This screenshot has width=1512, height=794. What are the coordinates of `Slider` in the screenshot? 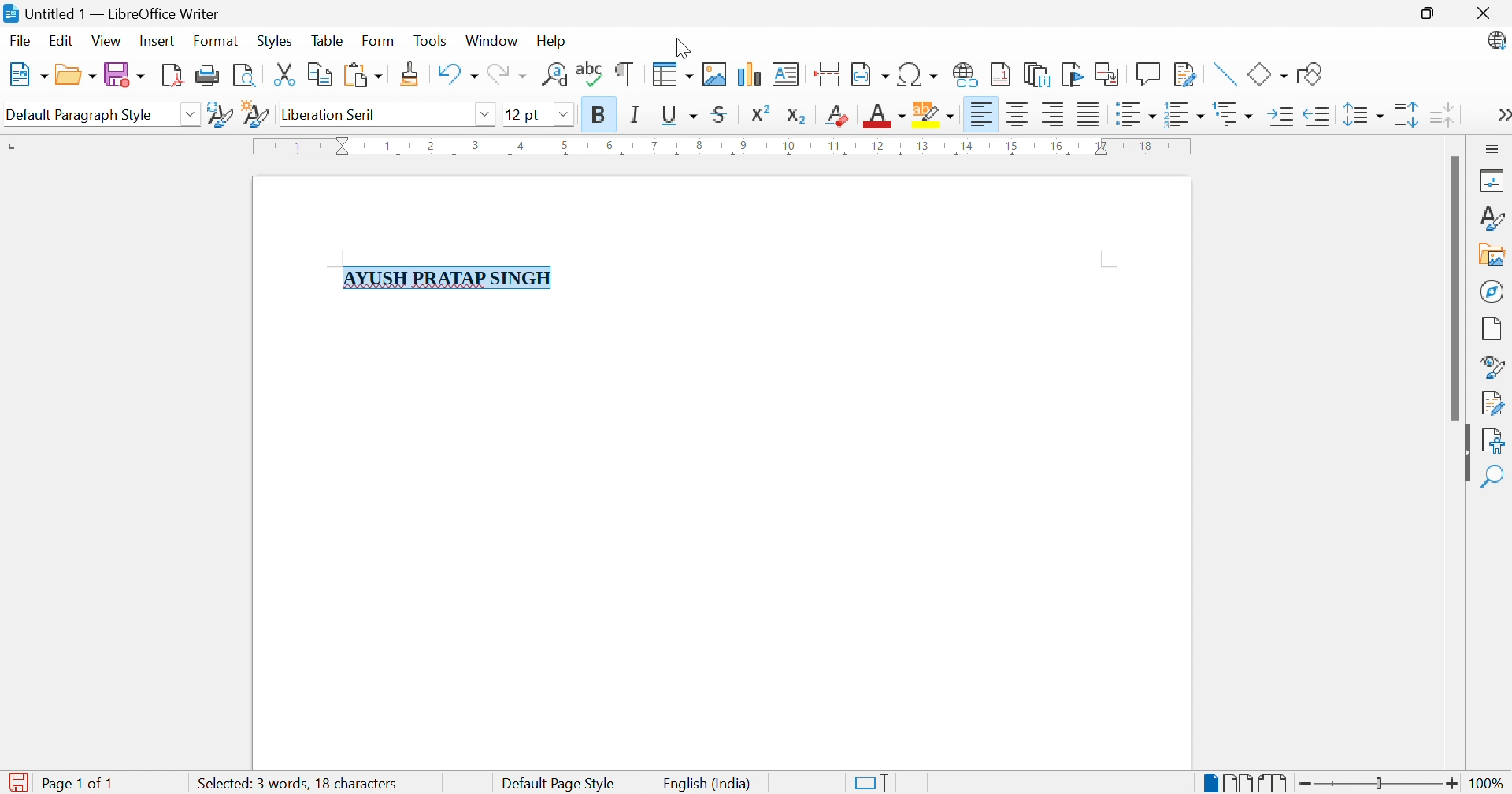 It's located at (1380, 784).